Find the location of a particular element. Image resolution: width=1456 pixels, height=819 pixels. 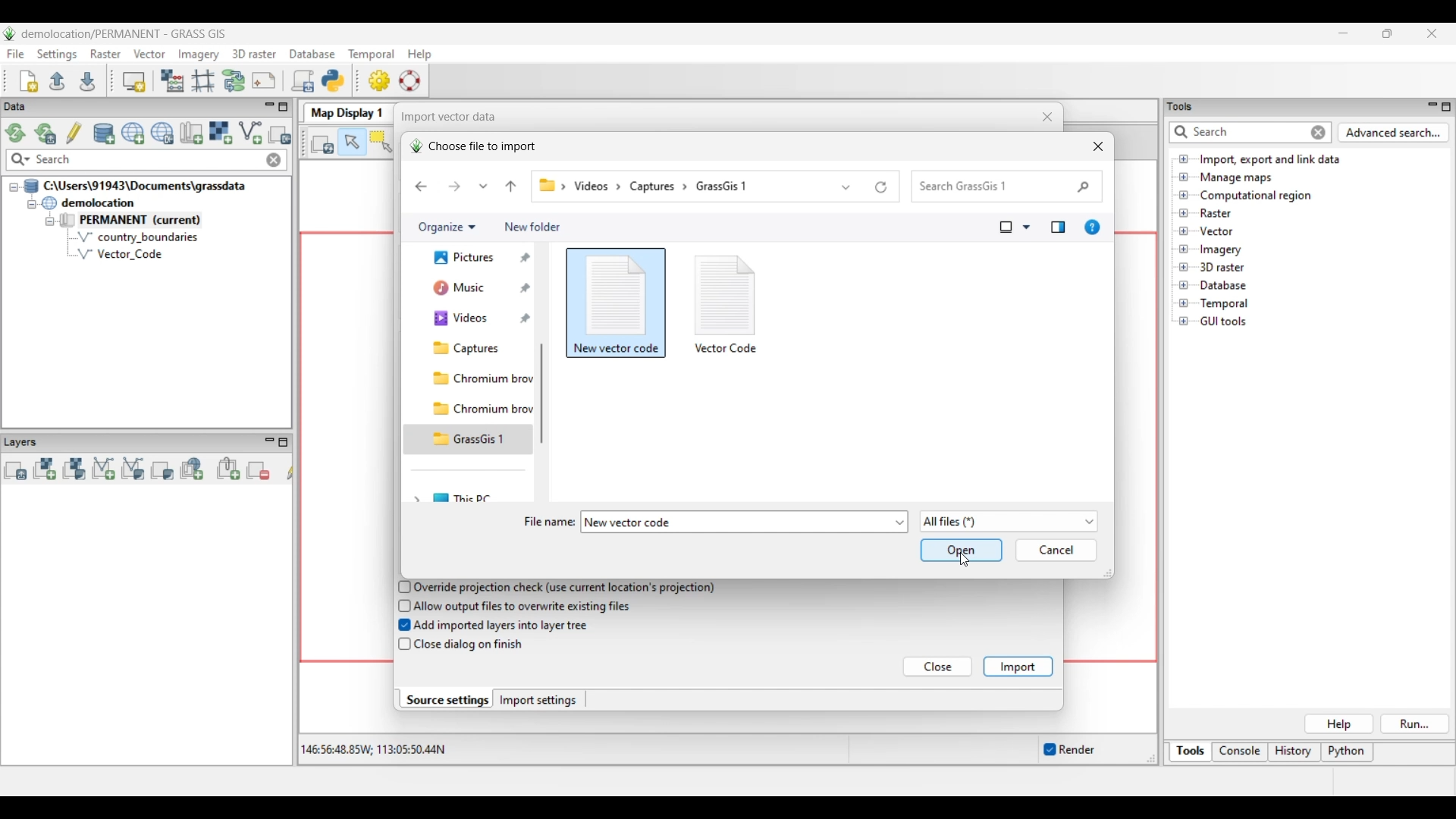

Map Display 1 tab is located at coordinates (345, 111).